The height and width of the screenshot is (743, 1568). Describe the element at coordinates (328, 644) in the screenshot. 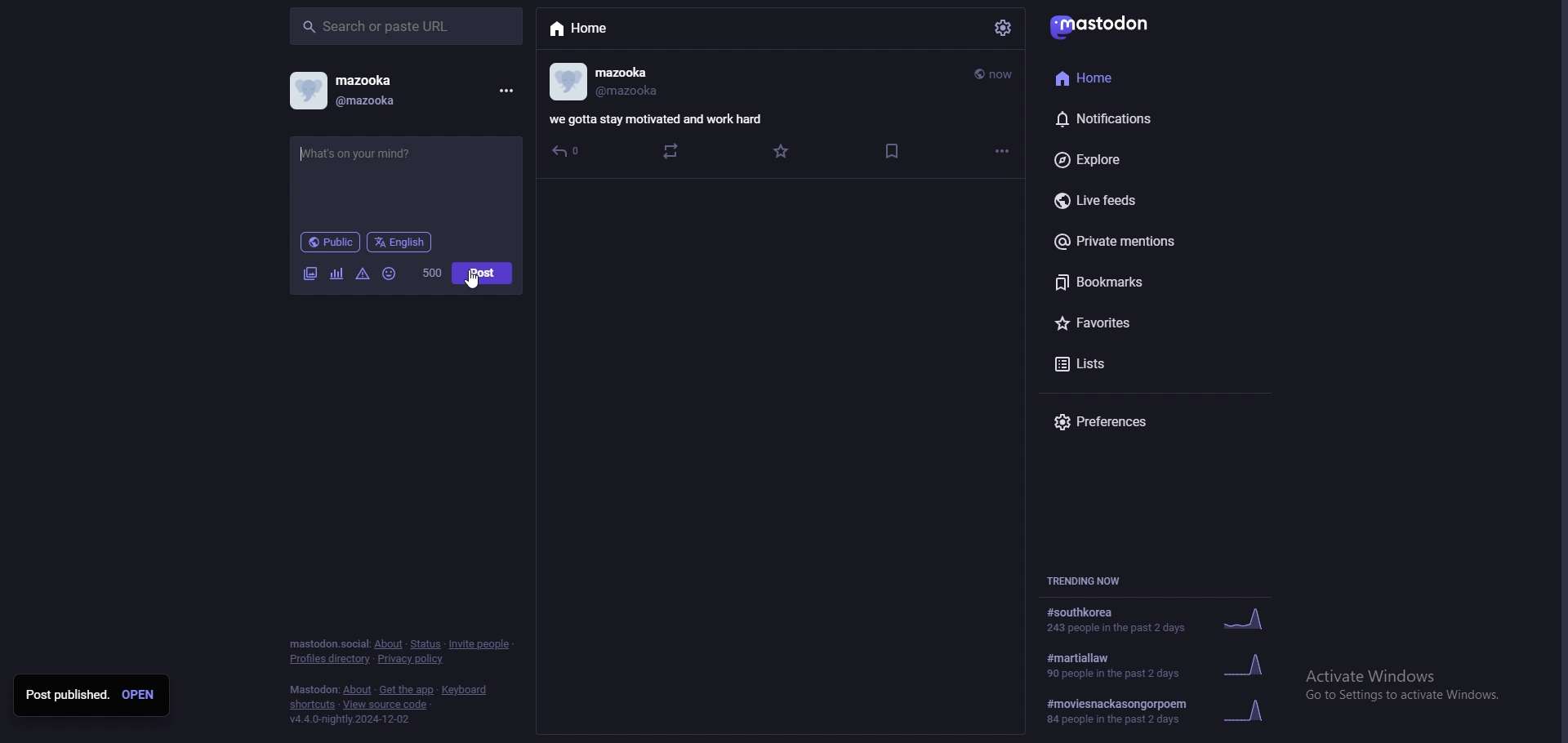

I see `mastodon social` at that location.